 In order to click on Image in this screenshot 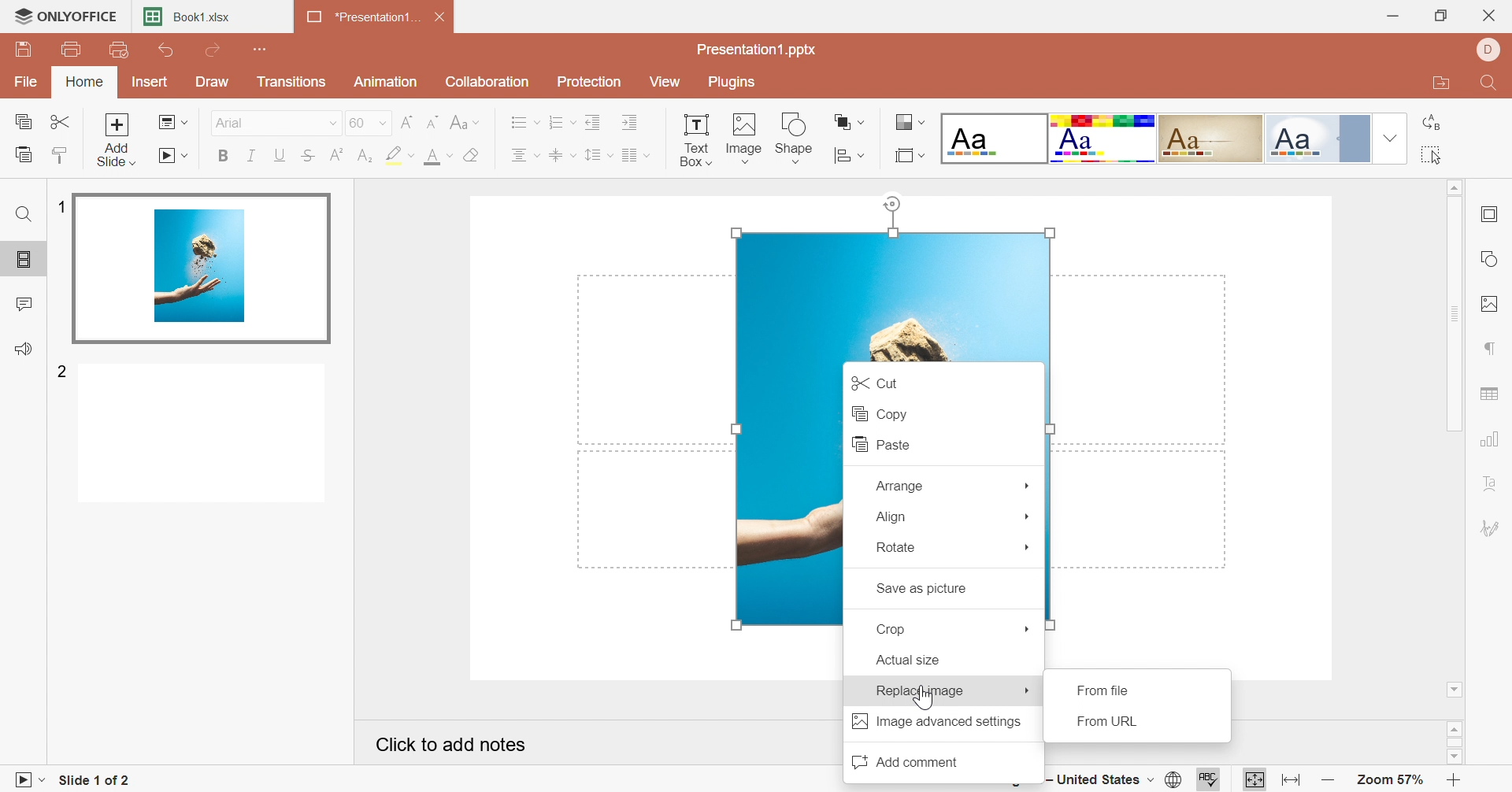, I will do `click(745, 135)`.